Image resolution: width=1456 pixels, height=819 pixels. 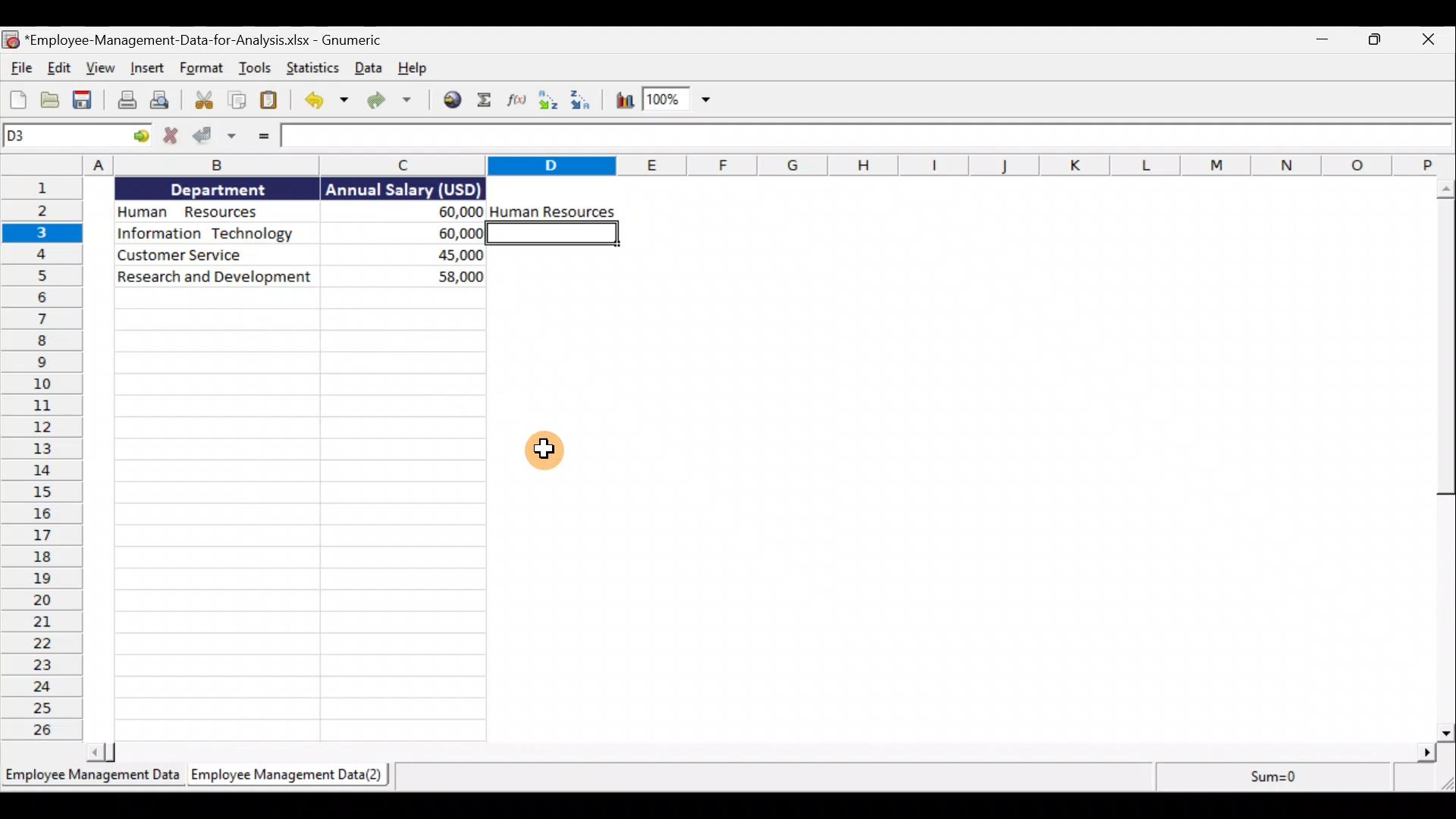 What do you see at coordinates (1263, 778) in the screenshot?
I see `sum=0` at bounding box center [1263, 778].